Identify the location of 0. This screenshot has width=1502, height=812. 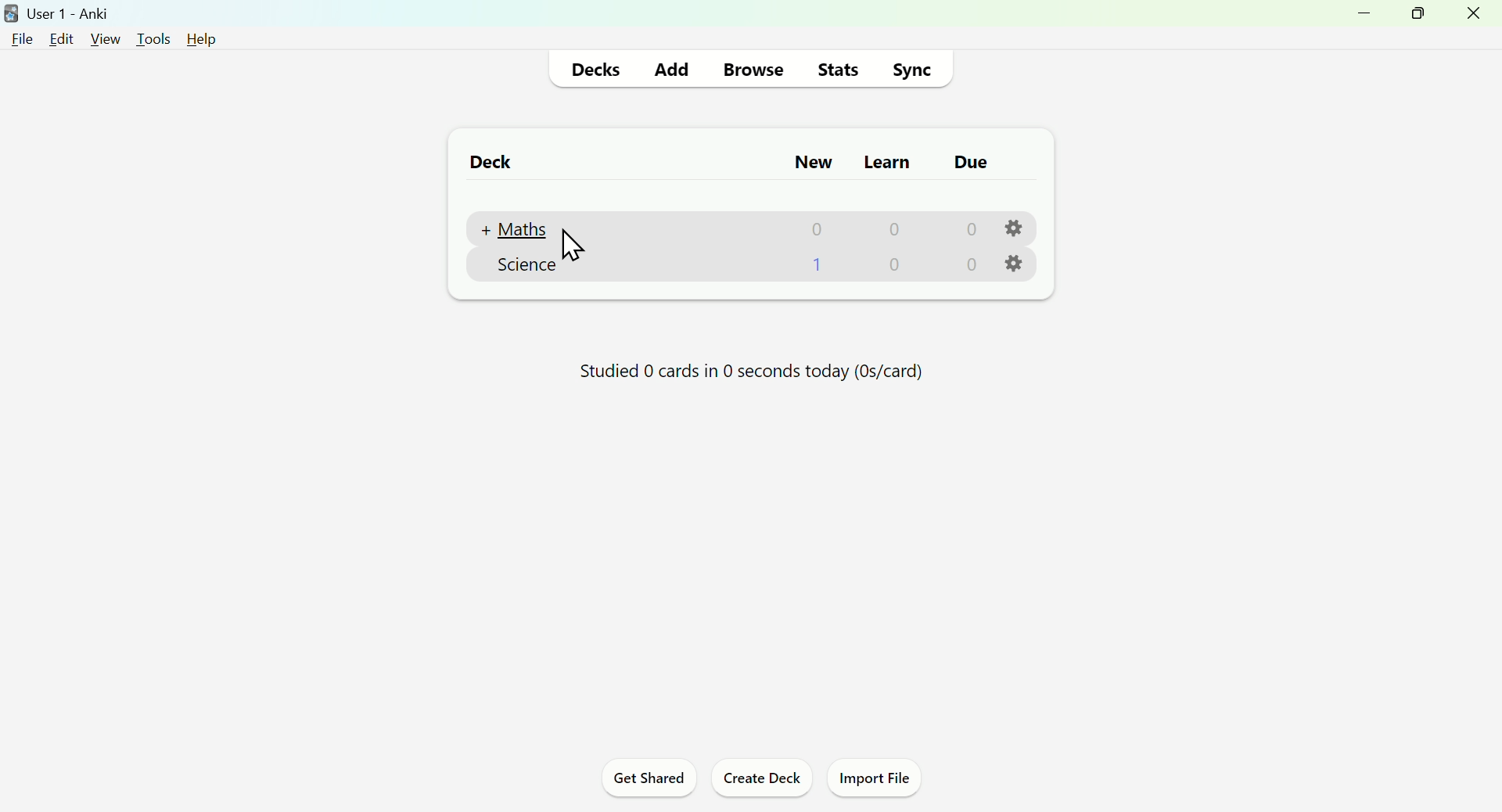
(810, 230).